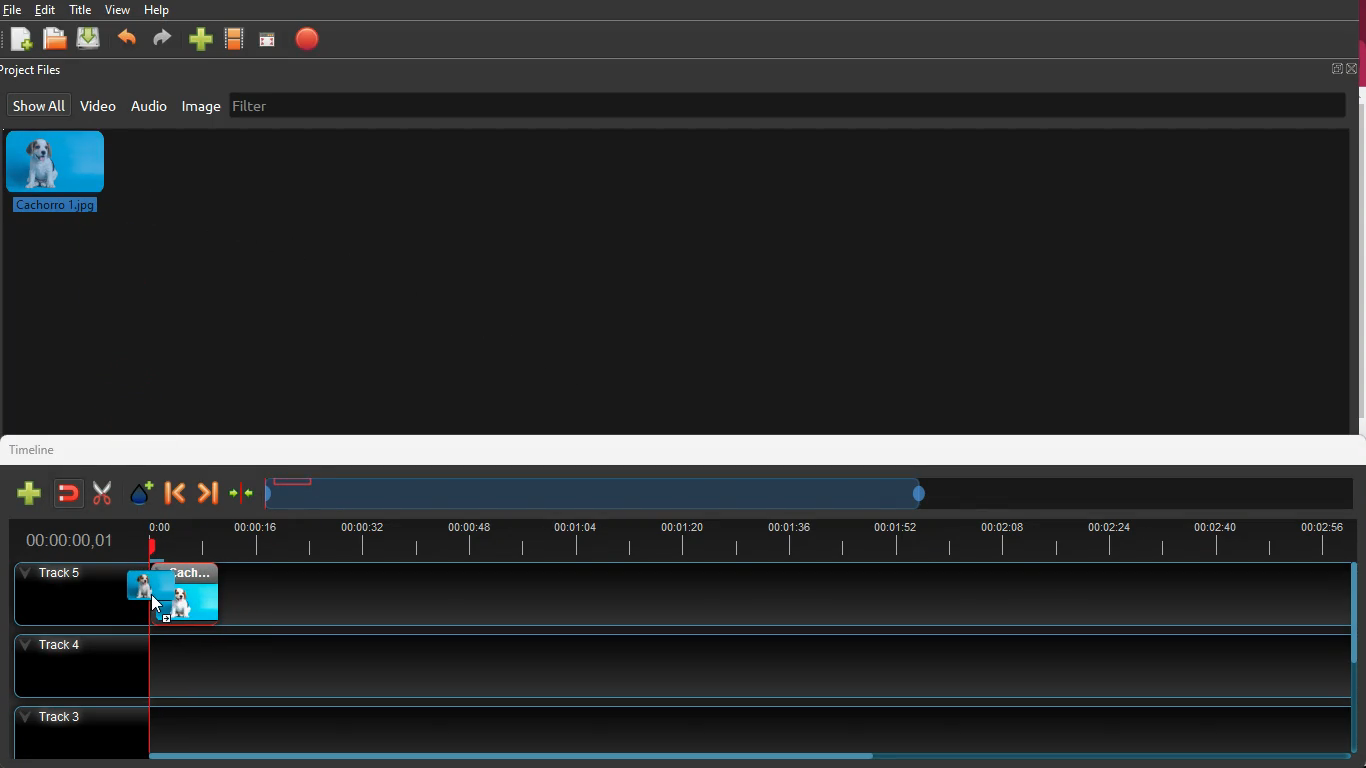 This screenshot has height=768, width=1366. I want to click on vertical scroll bar, so click(1357, 611).